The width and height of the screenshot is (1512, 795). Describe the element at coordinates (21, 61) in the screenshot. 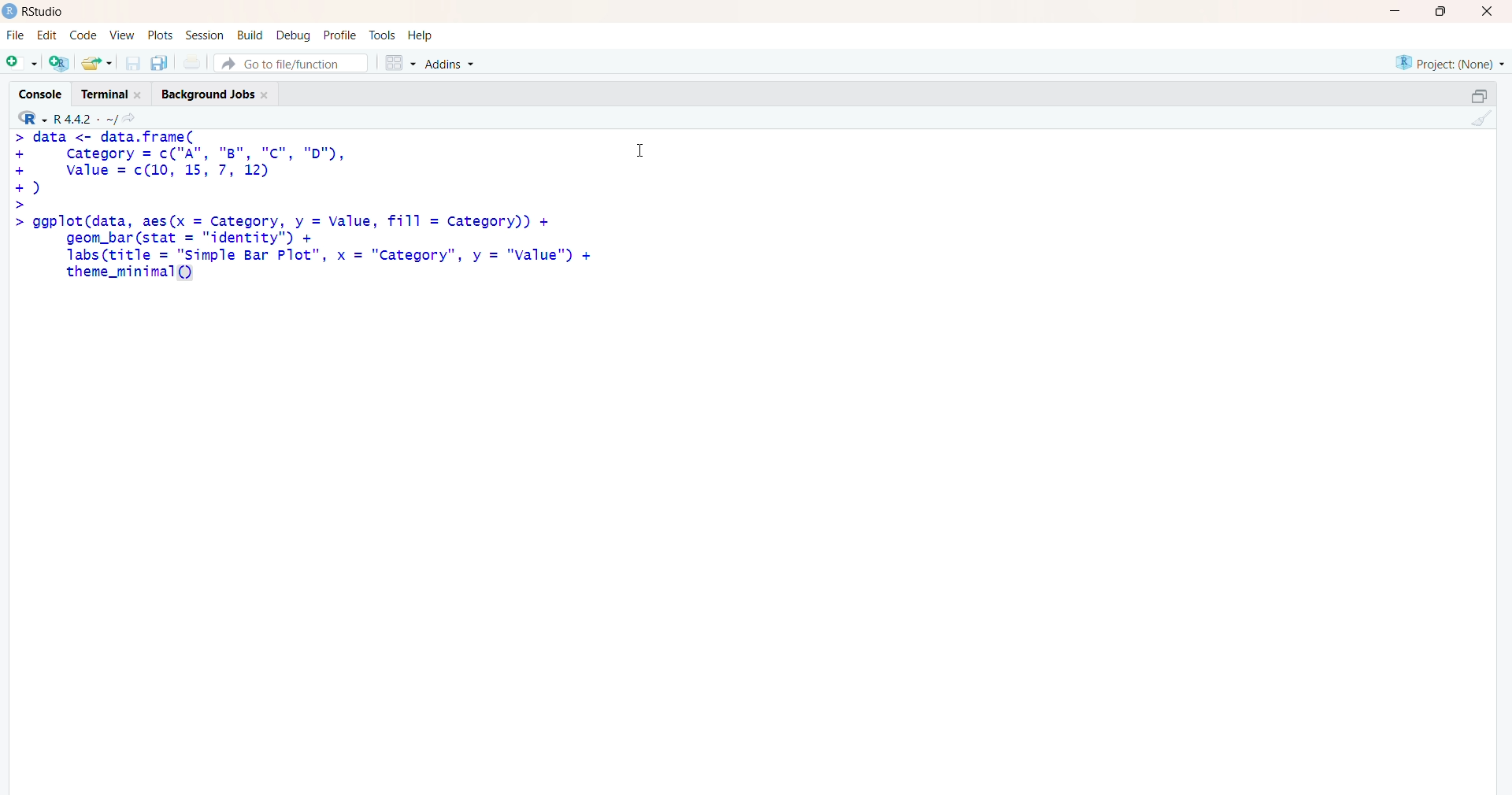

I see `new file` at that location.